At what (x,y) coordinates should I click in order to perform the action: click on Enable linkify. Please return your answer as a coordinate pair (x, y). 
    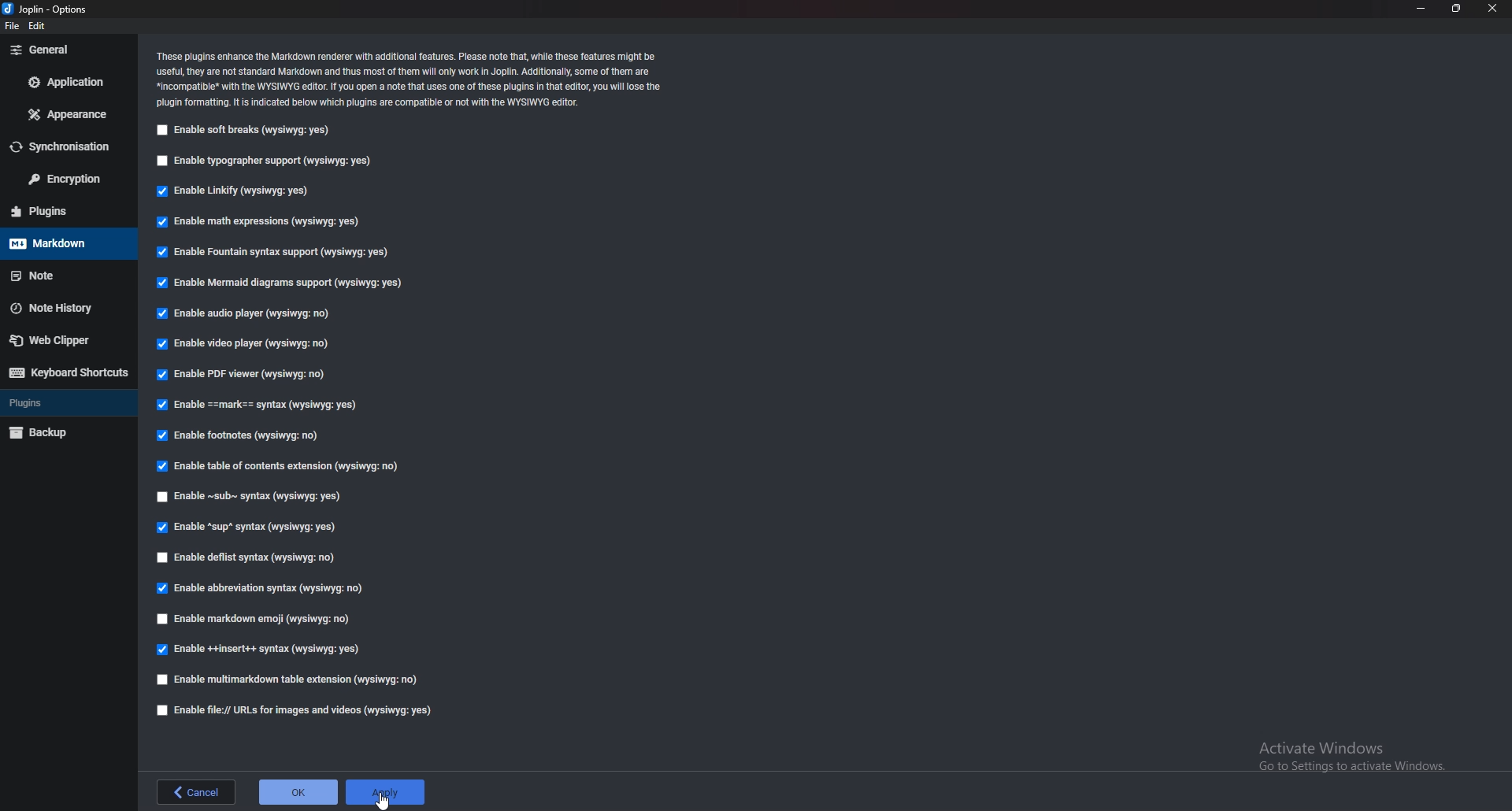
    Looking at the image, I should click on (236, 191).